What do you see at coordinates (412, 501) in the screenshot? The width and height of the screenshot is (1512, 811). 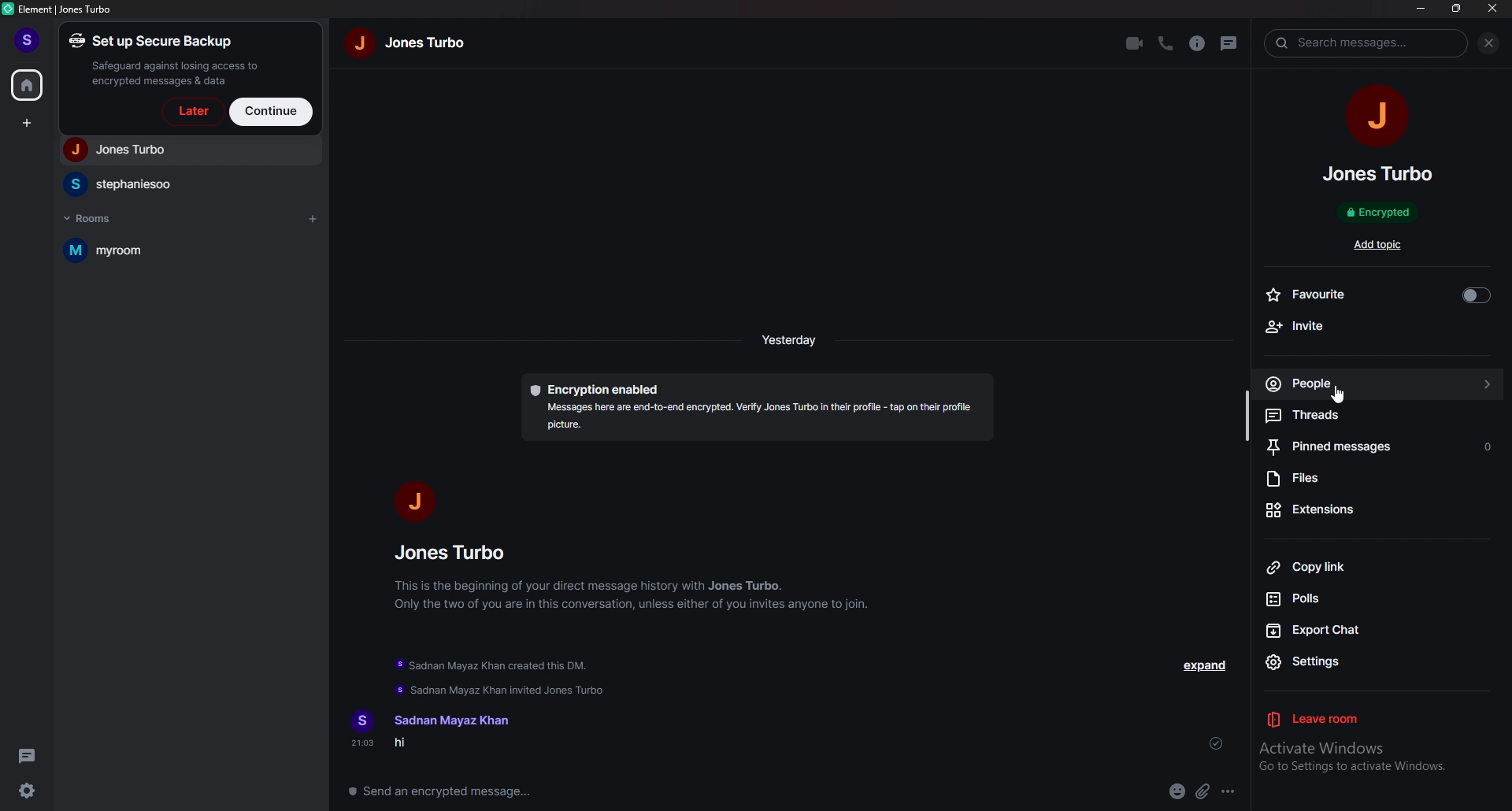 I see `people photo` at bounding box center [412, 501].